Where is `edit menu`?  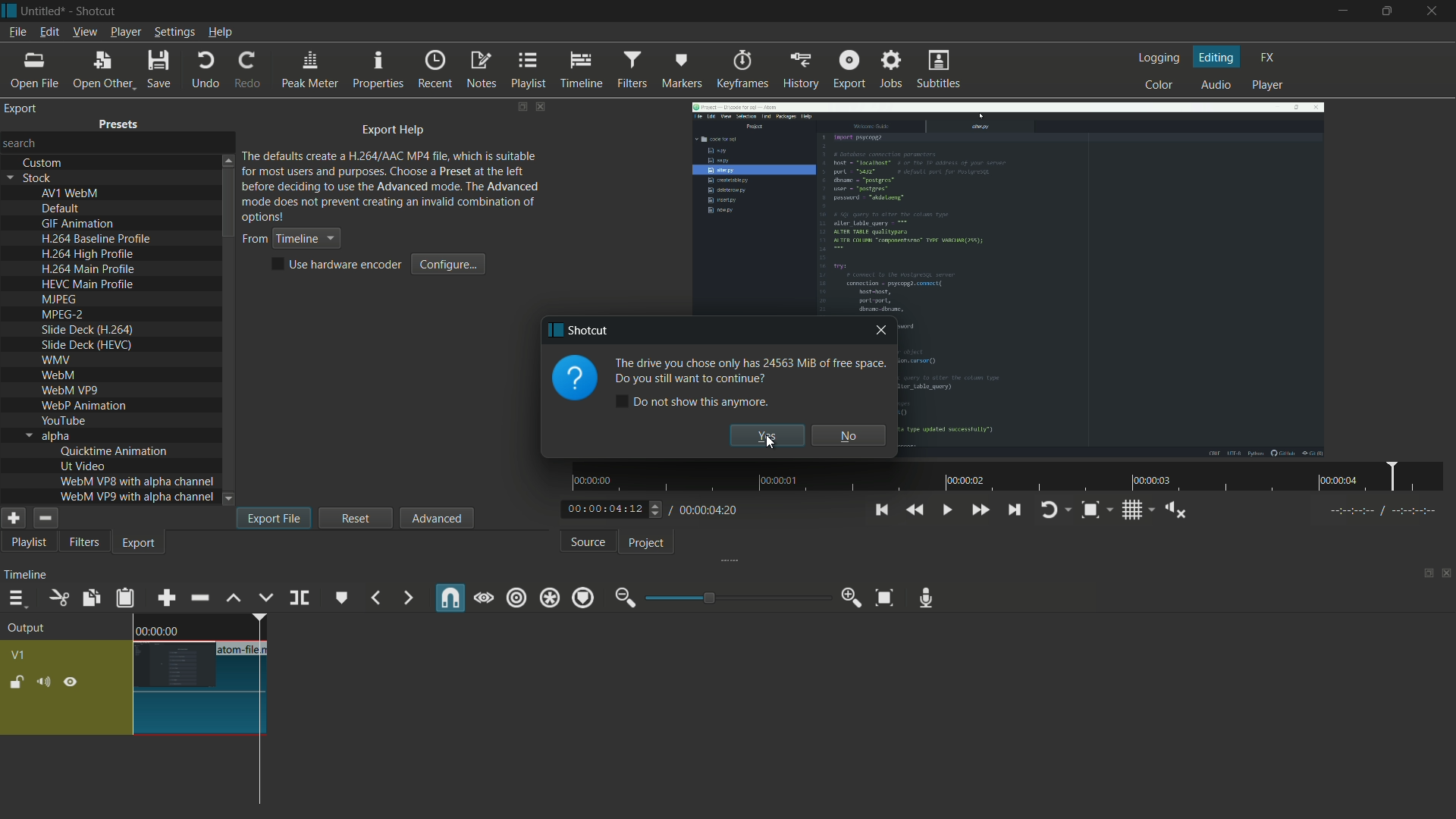 edit menu is located at coordinates (49, 31).